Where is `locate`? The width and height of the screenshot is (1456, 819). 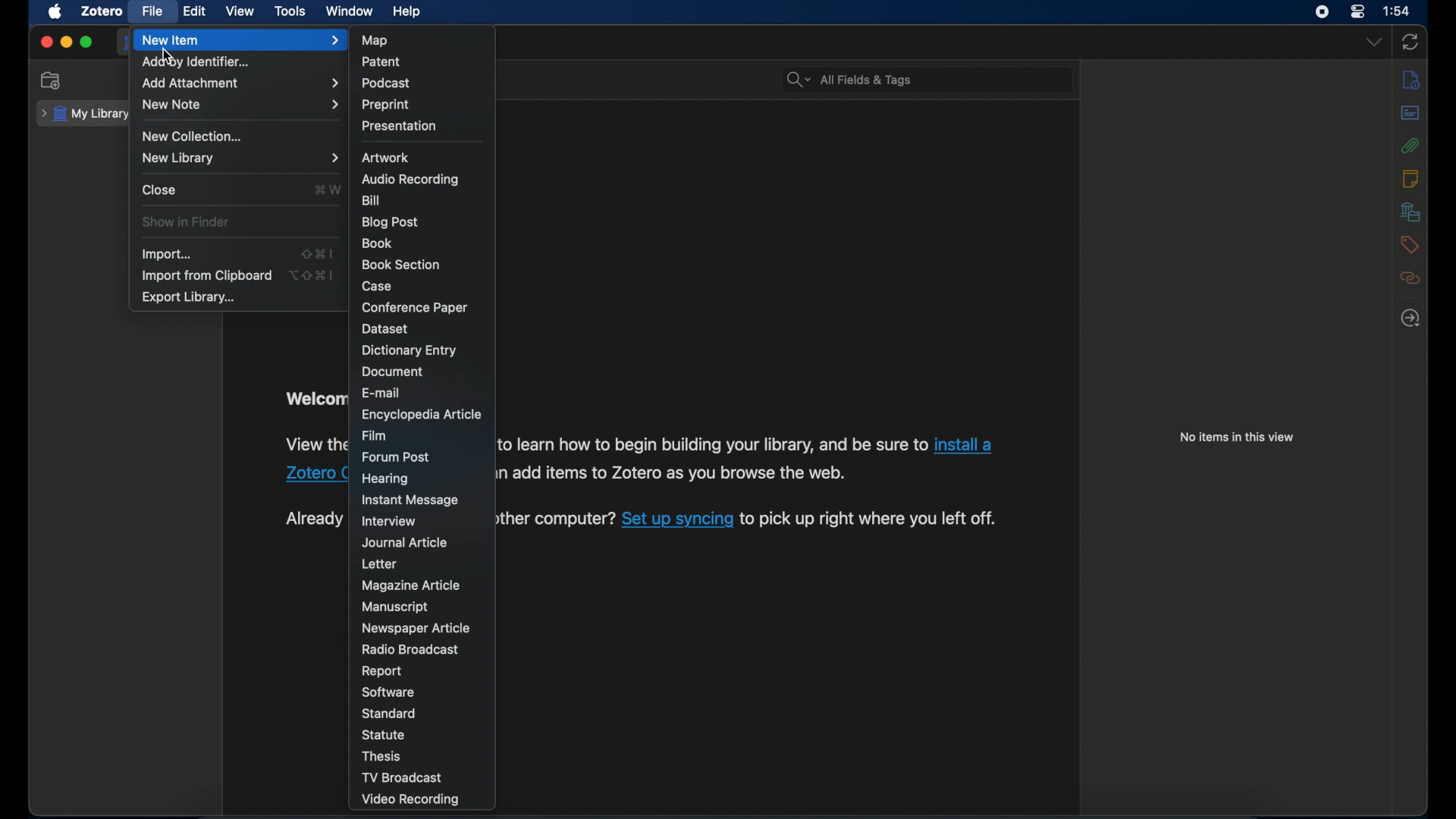 locate is located at coordinates (1410, 318).